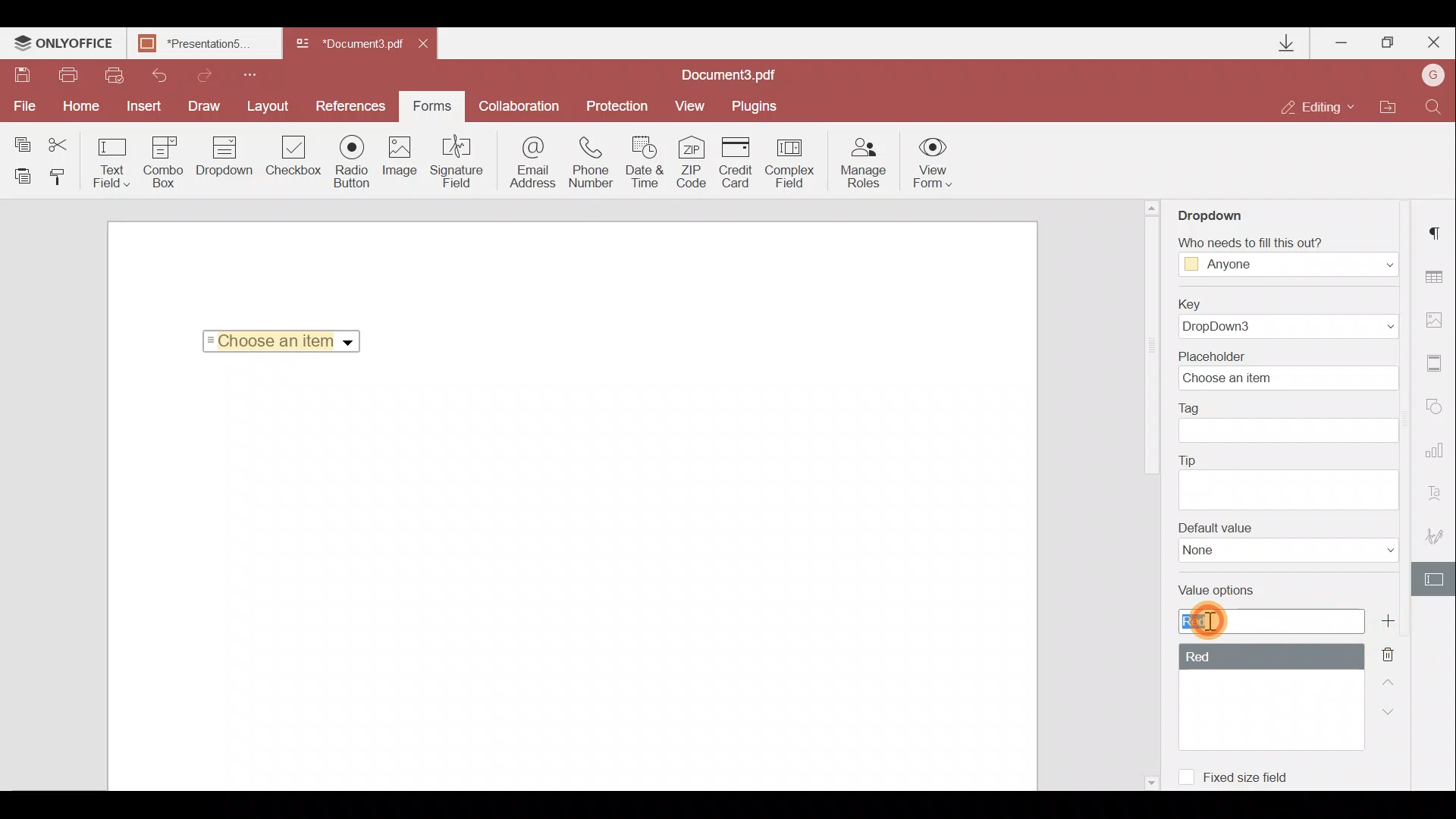 The width and height of the screenshot is (1456, 819). Describe the element at coordinates (85, 107) in the screenshot. I see `Home` at that location.